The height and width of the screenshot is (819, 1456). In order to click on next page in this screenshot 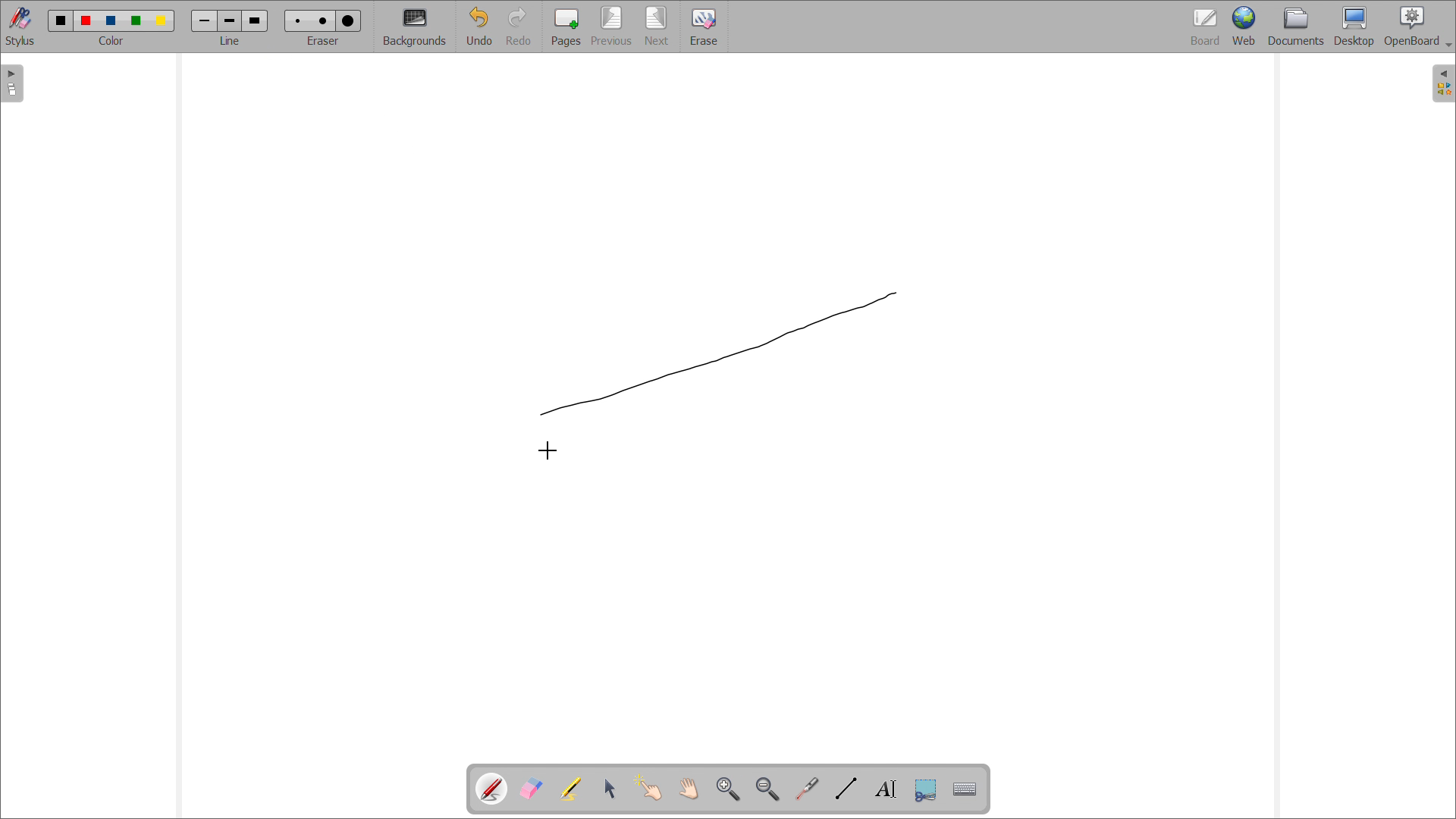, I will do `click(657, 27)`.